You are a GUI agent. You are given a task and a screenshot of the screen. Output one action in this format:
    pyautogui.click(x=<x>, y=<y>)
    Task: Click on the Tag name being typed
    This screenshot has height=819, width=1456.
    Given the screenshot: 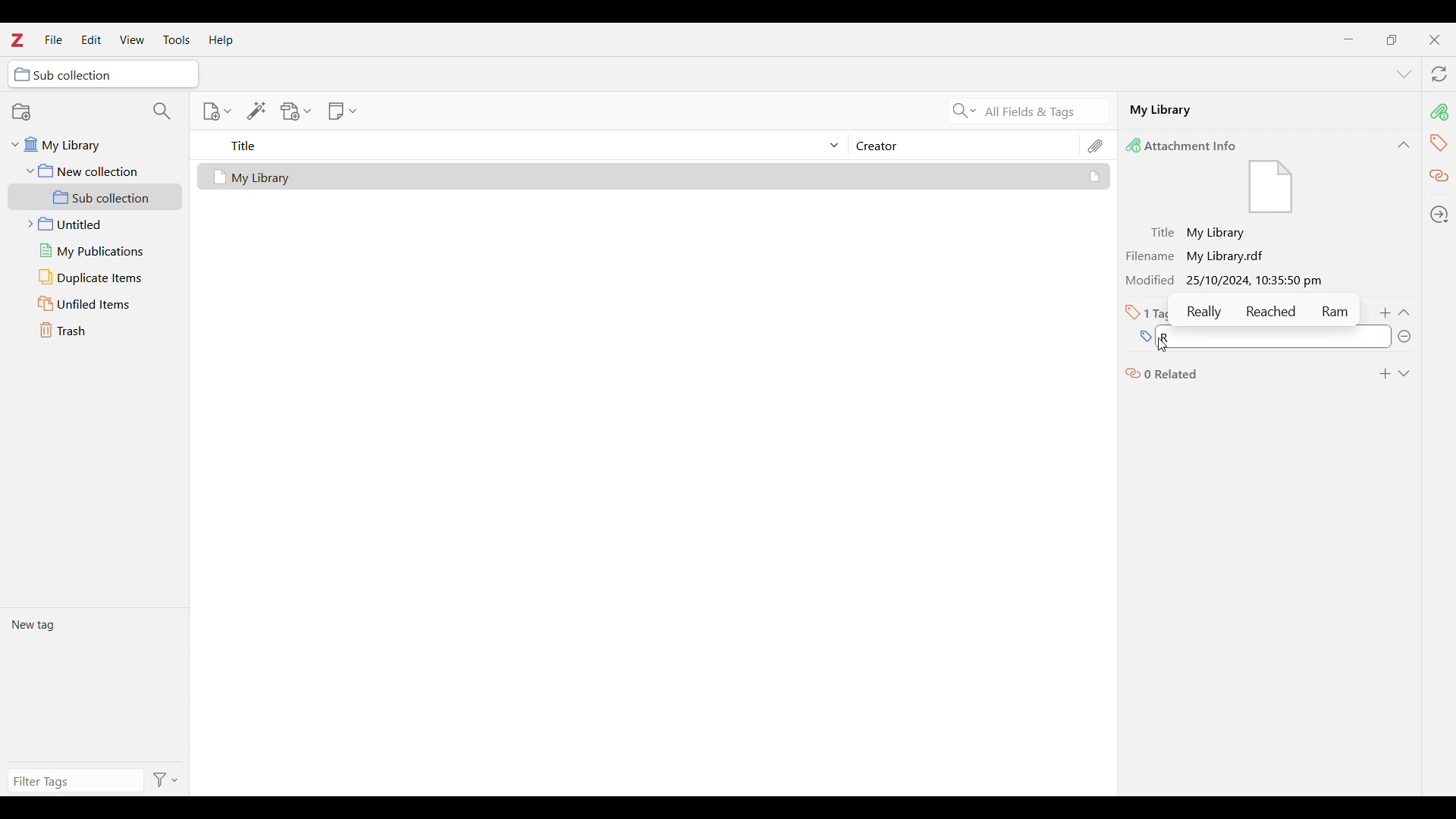 What is the action you would take?
    pyautogui.click(x=1263, y=336)
    